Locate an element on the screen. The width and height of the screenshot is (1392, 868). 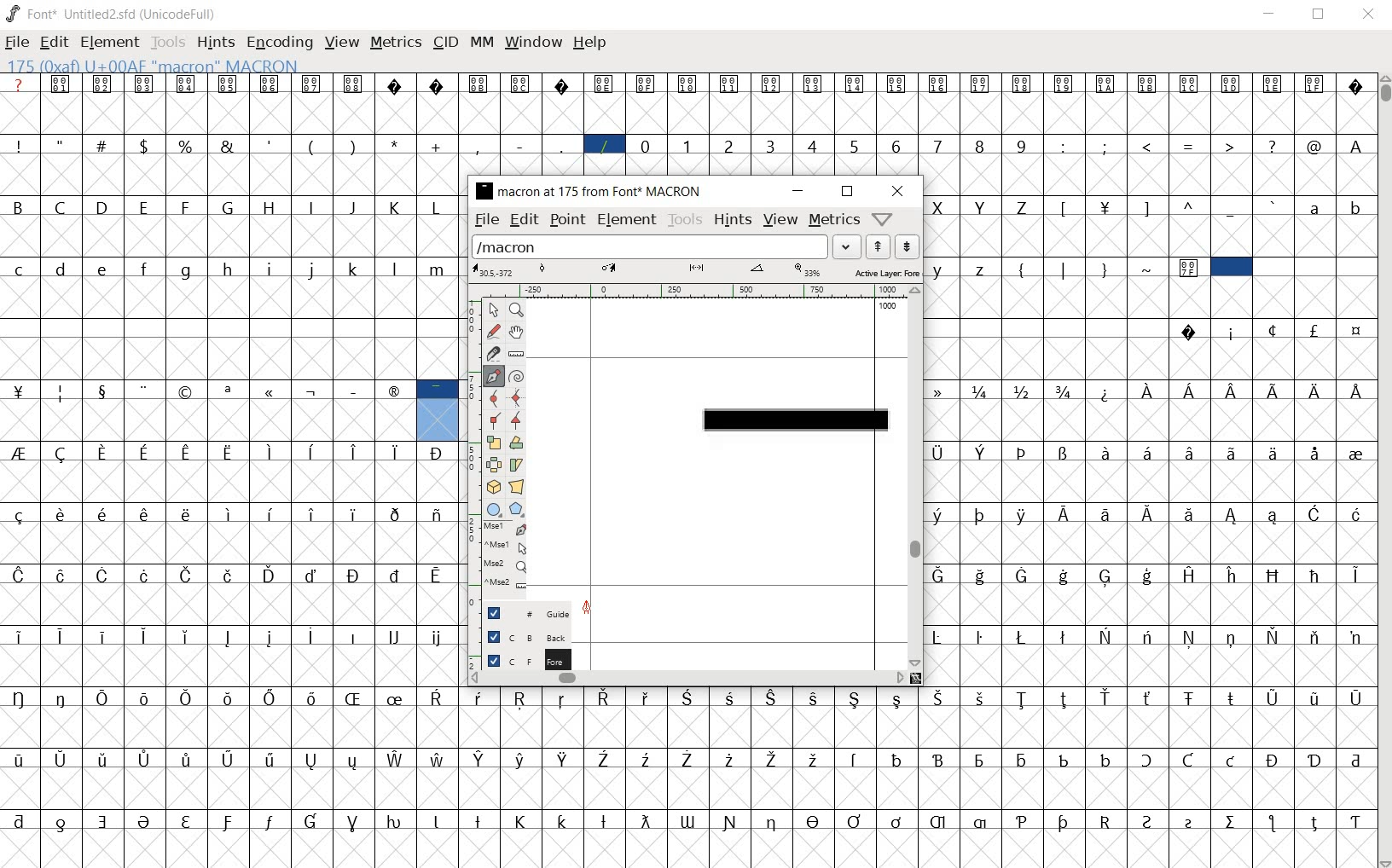
Symbol is located at coordinates (731, 83).